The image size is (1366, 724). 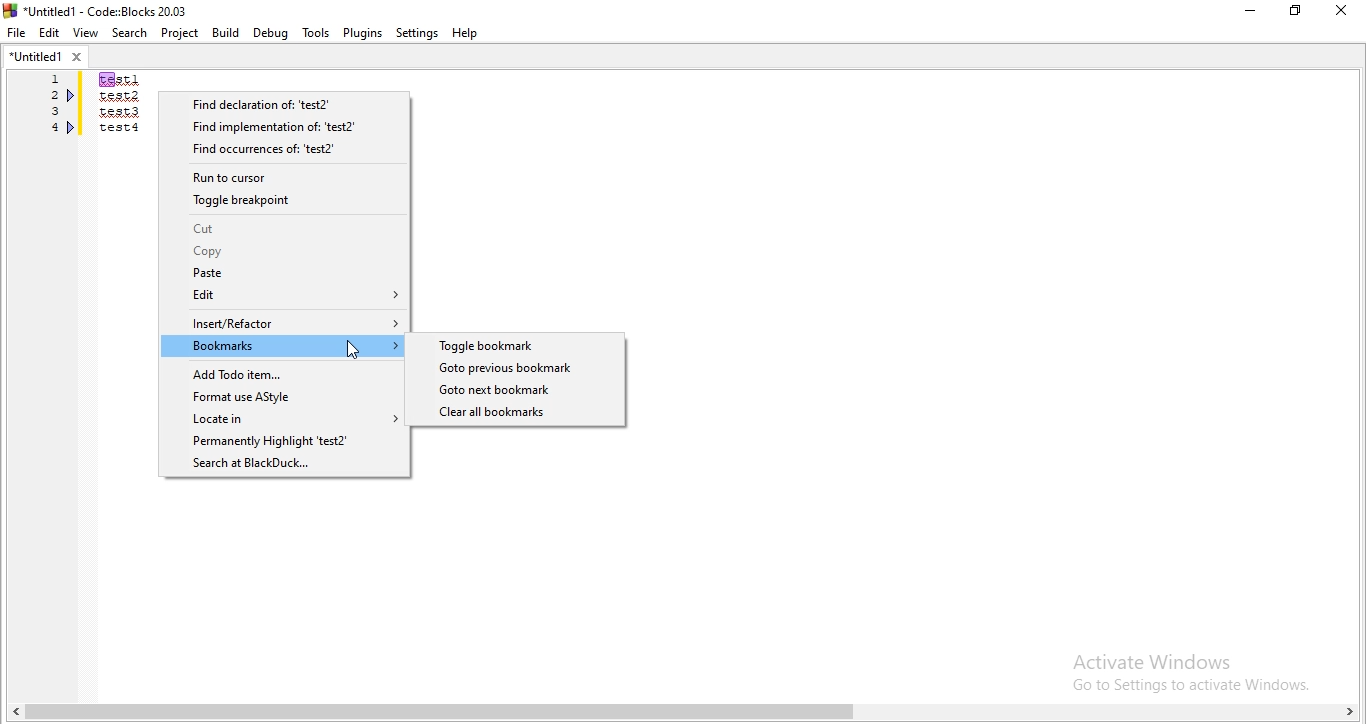 I want to click on Search , so click(x=127, y=32).